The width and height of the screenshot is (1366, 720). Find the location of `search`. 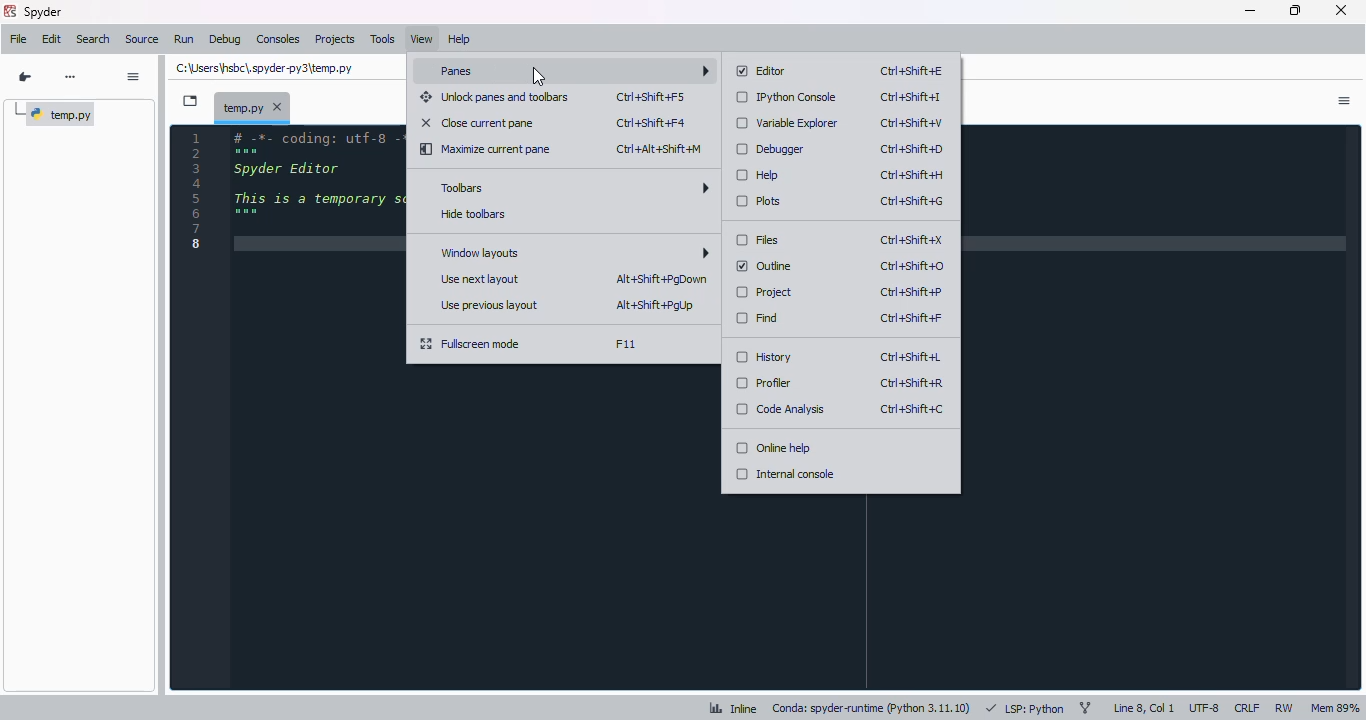

search is located at coordinates (93, 40).